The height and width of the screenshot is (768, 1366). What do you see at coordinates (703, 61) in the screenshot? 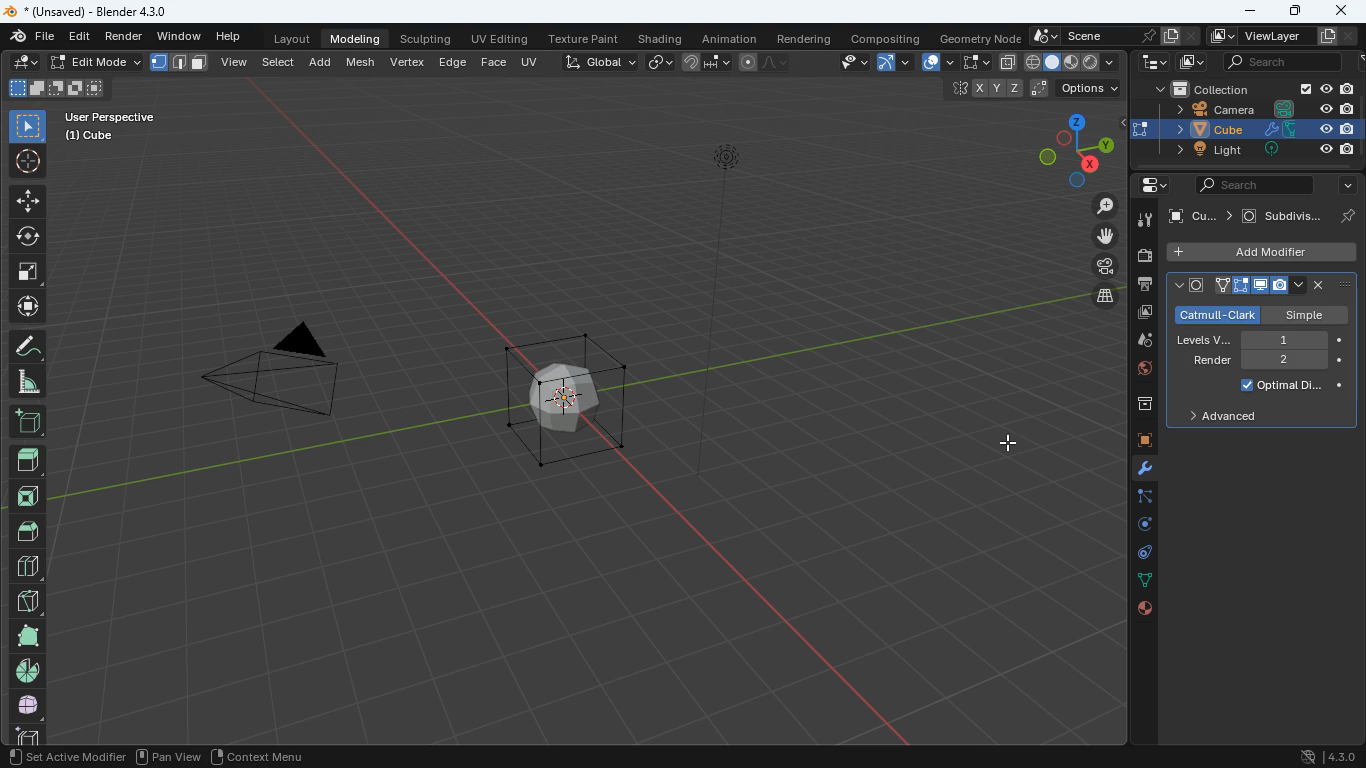
I see `join` at bounding box center [703, 61].